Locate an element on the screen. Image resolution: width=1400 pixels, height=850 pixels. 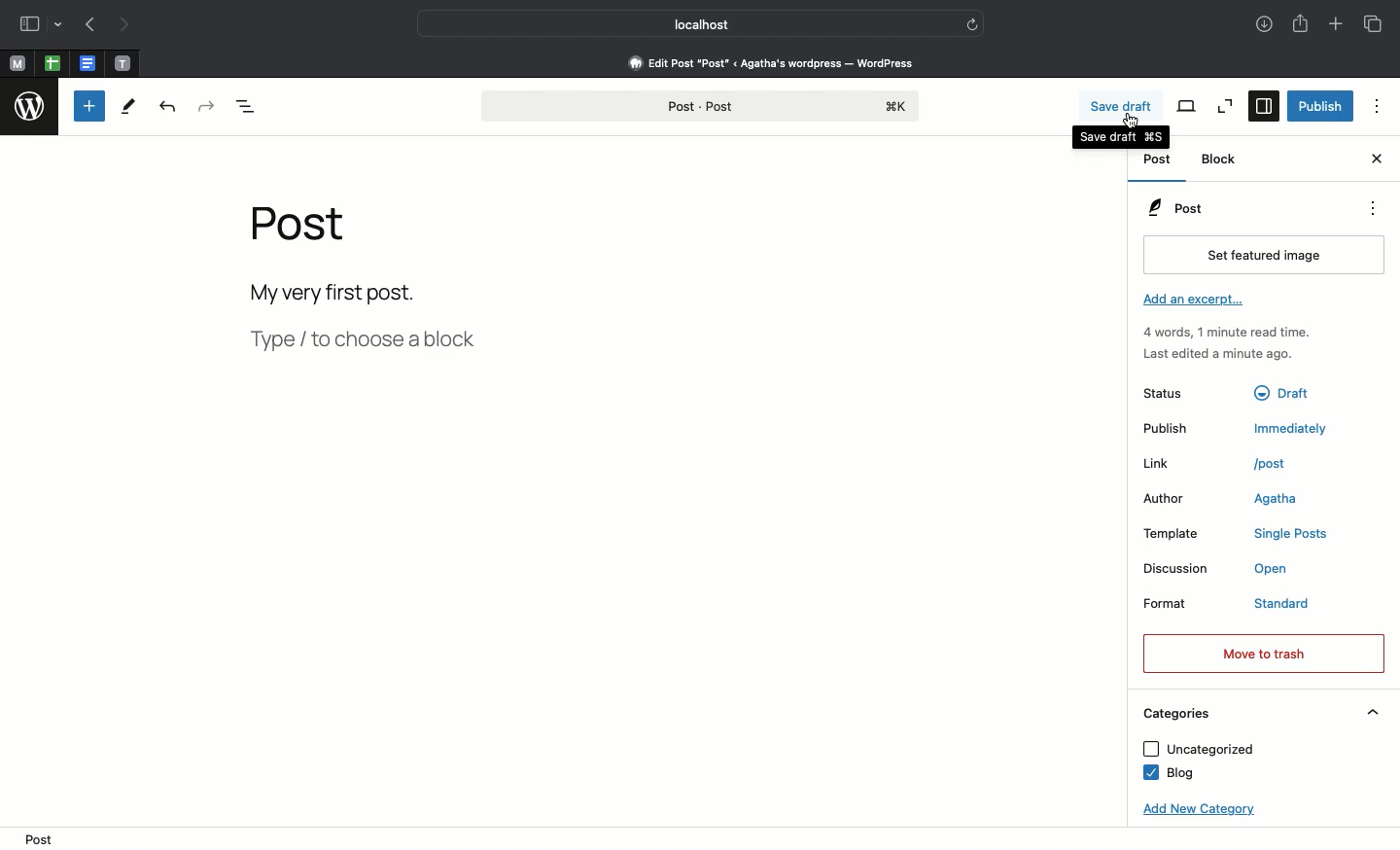
Options is located at coordinates (1371, 208).